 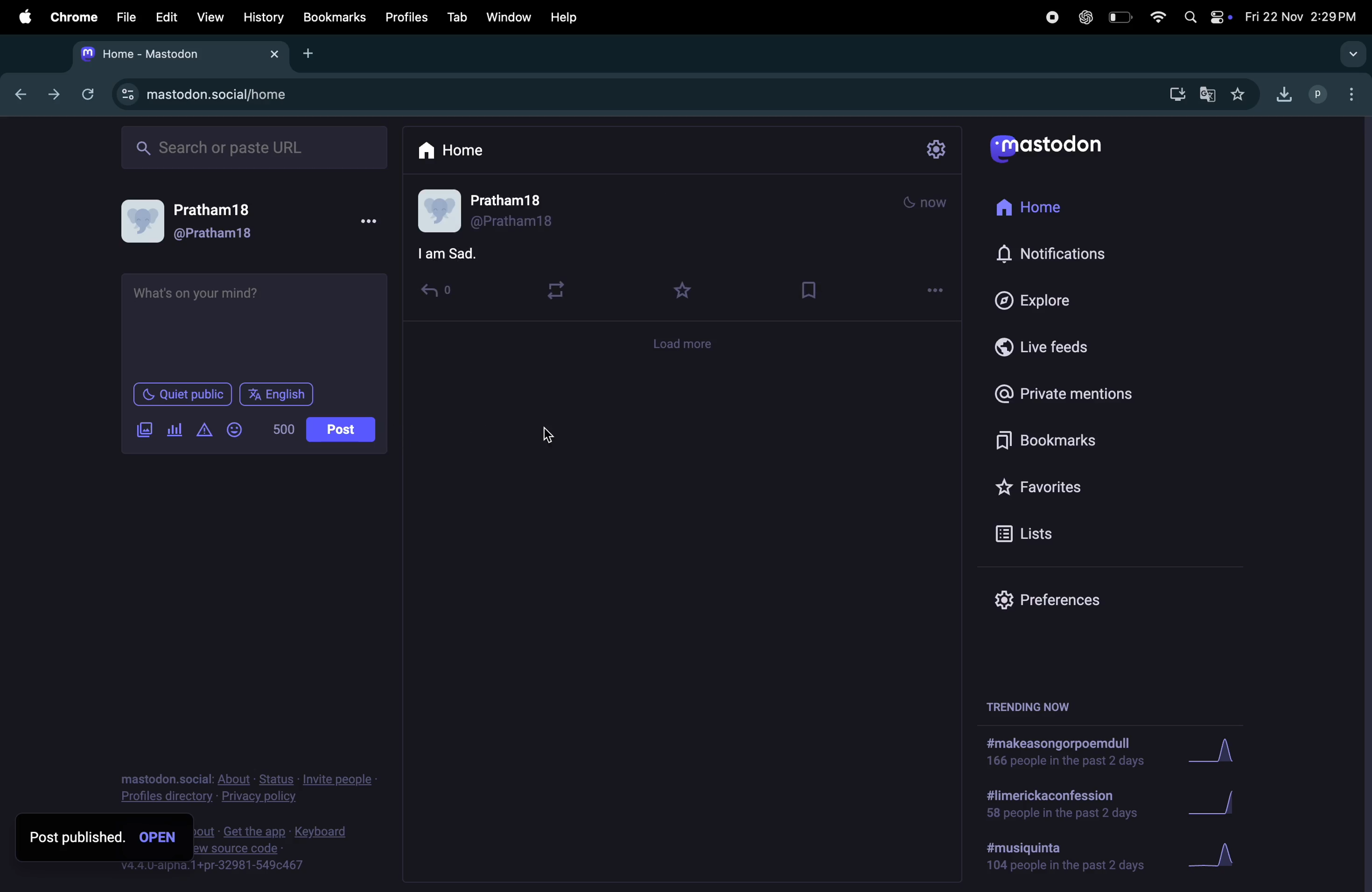 I want to click on loop, so click(x=561, y=291).